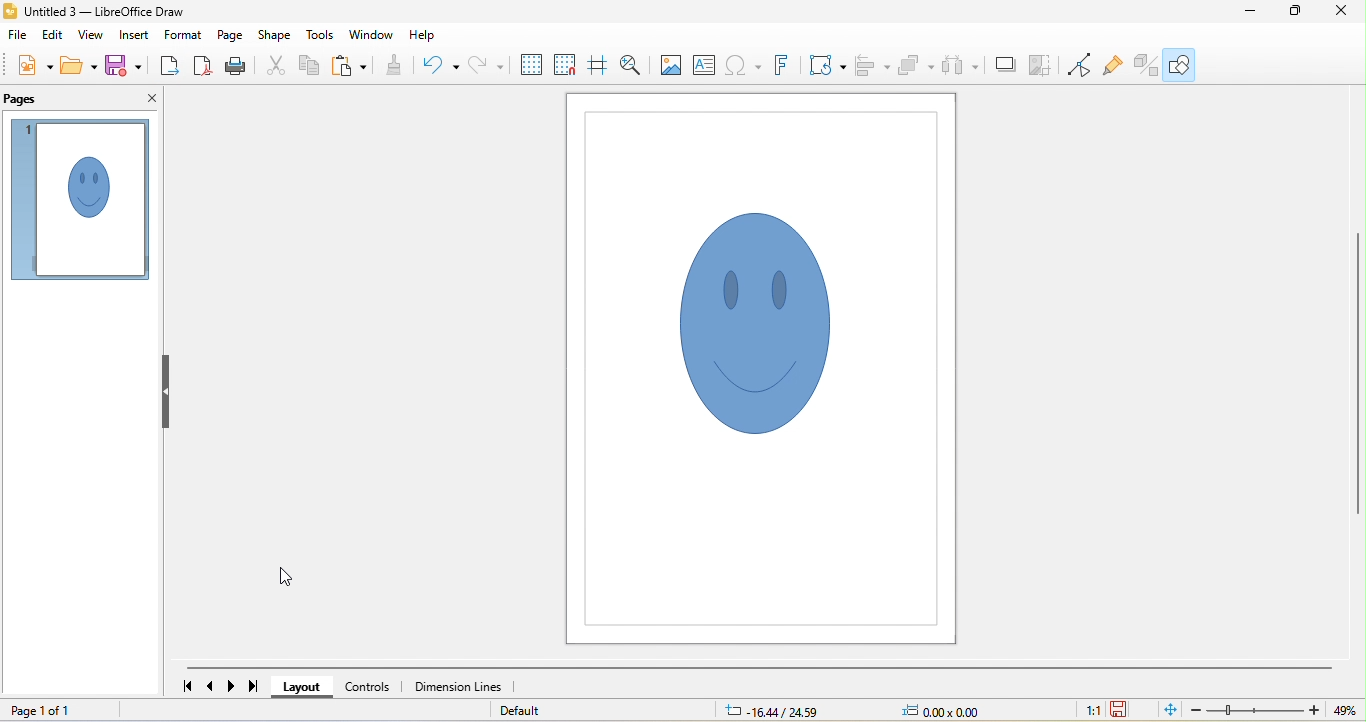 The width and height of the screenshot is (1366, 722). I want to click on 0.00x0.00, so click(944, 712).